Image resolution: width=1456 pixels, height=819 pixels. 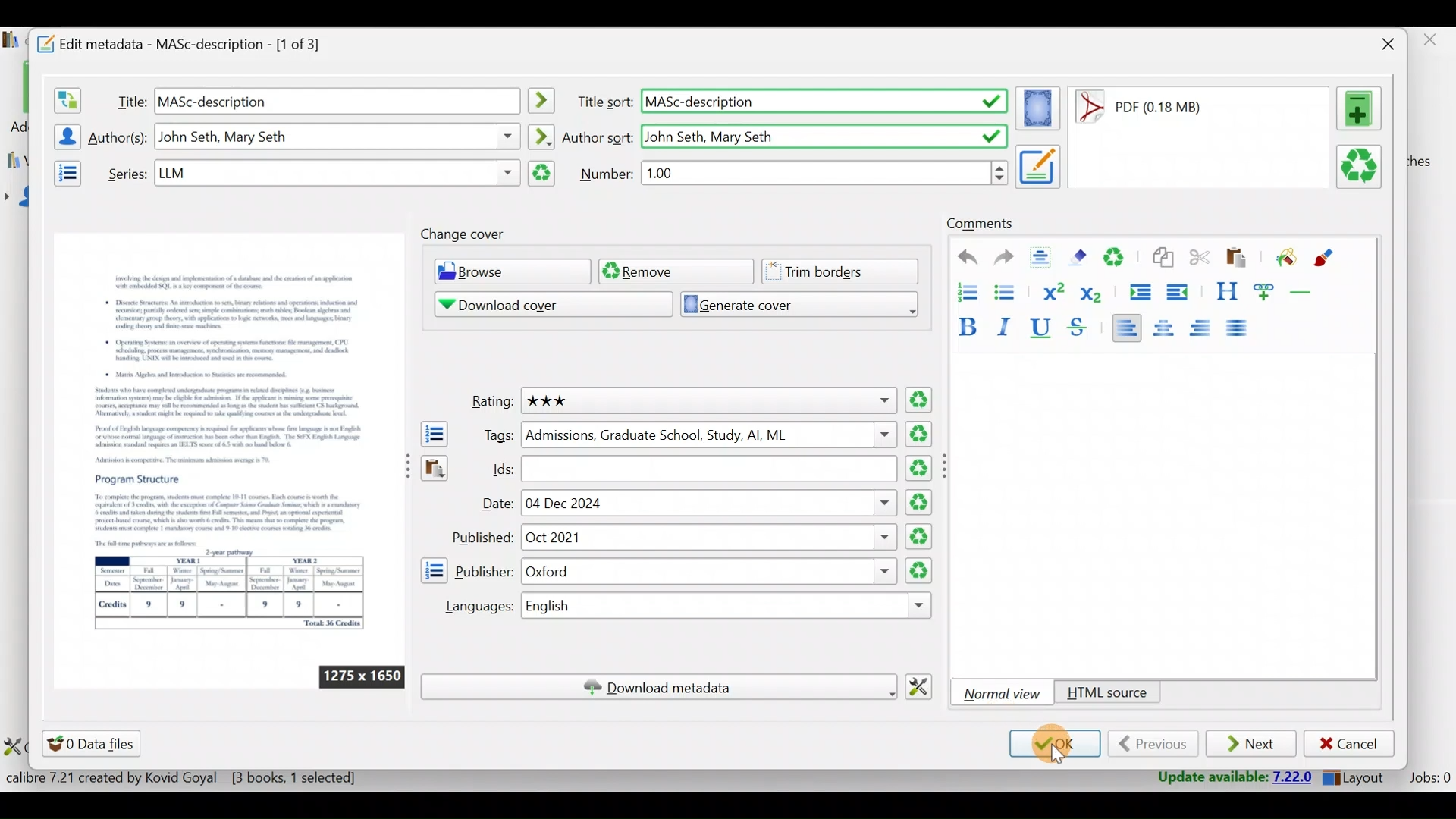 I want to click on Align right, so click(x=1205, y=328).